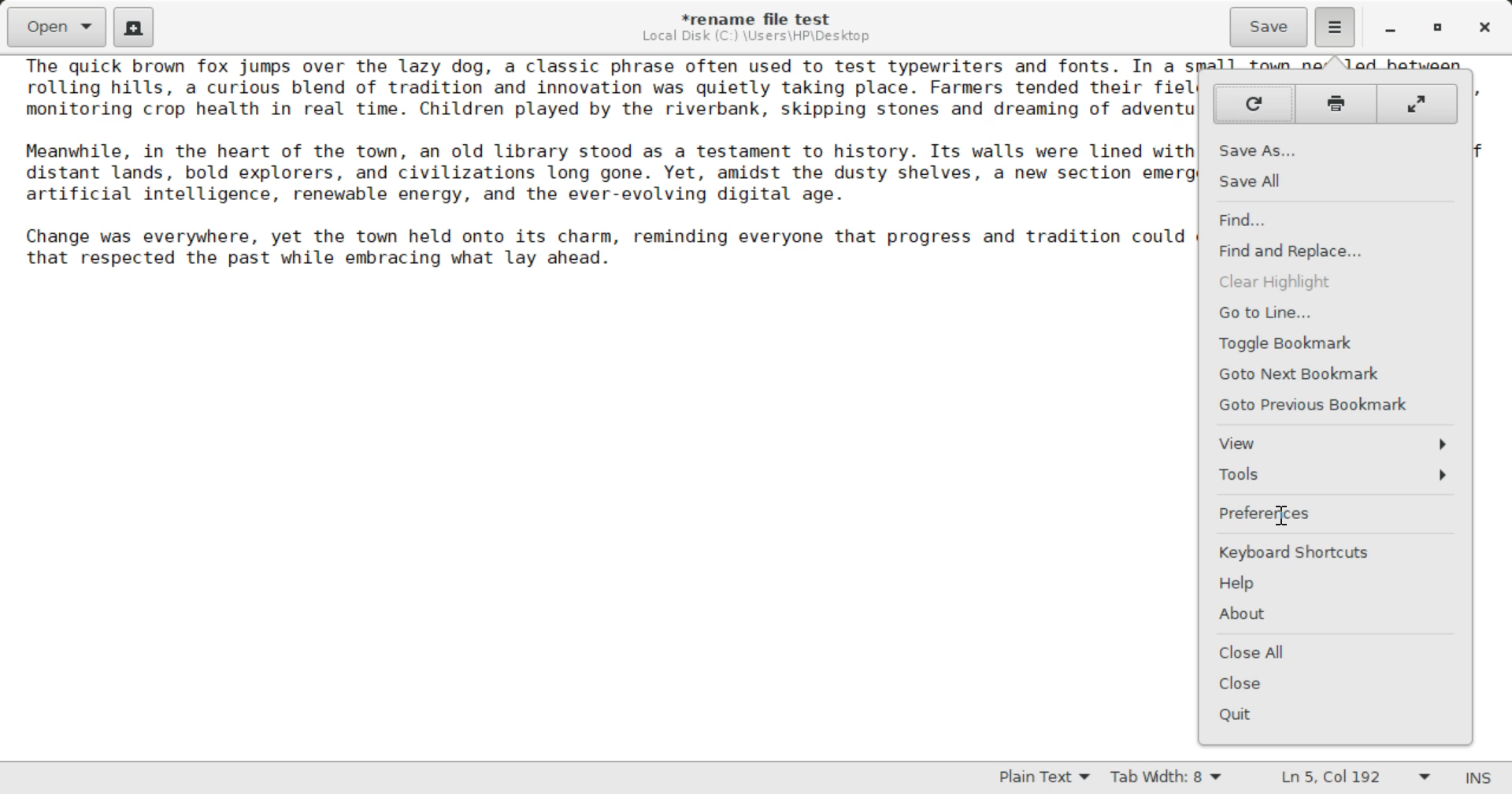  Describe the element at coordinates (1332, 373) in the screenshot. I see `Goto Next Bookmark` at that location.